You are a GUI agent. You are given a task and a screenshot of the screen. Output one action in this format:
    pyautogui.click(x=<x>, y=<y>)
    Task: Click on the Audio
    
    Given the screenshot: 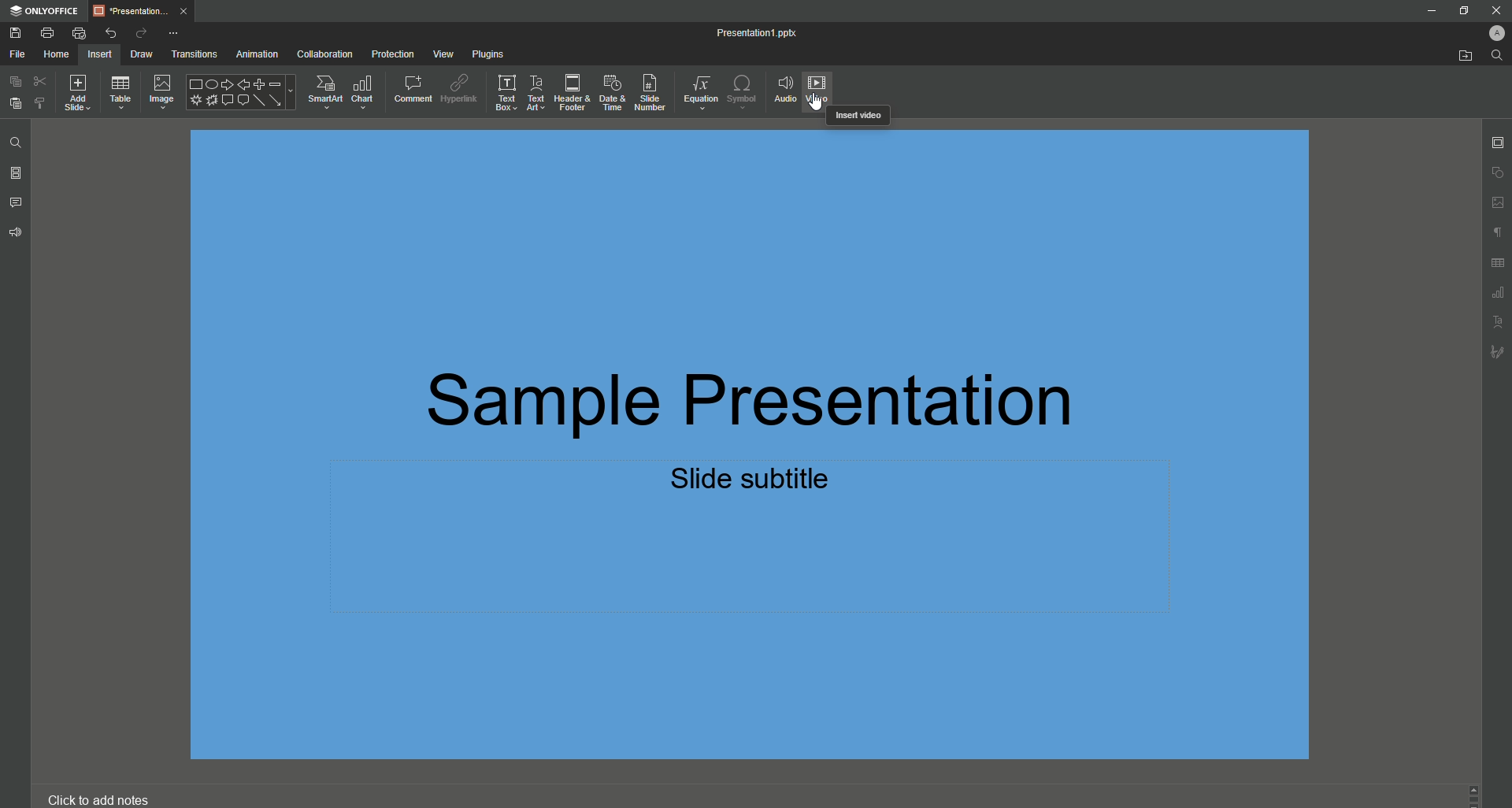 What is the action you would take?
    pyautogui.click(x=784, y=88)
    